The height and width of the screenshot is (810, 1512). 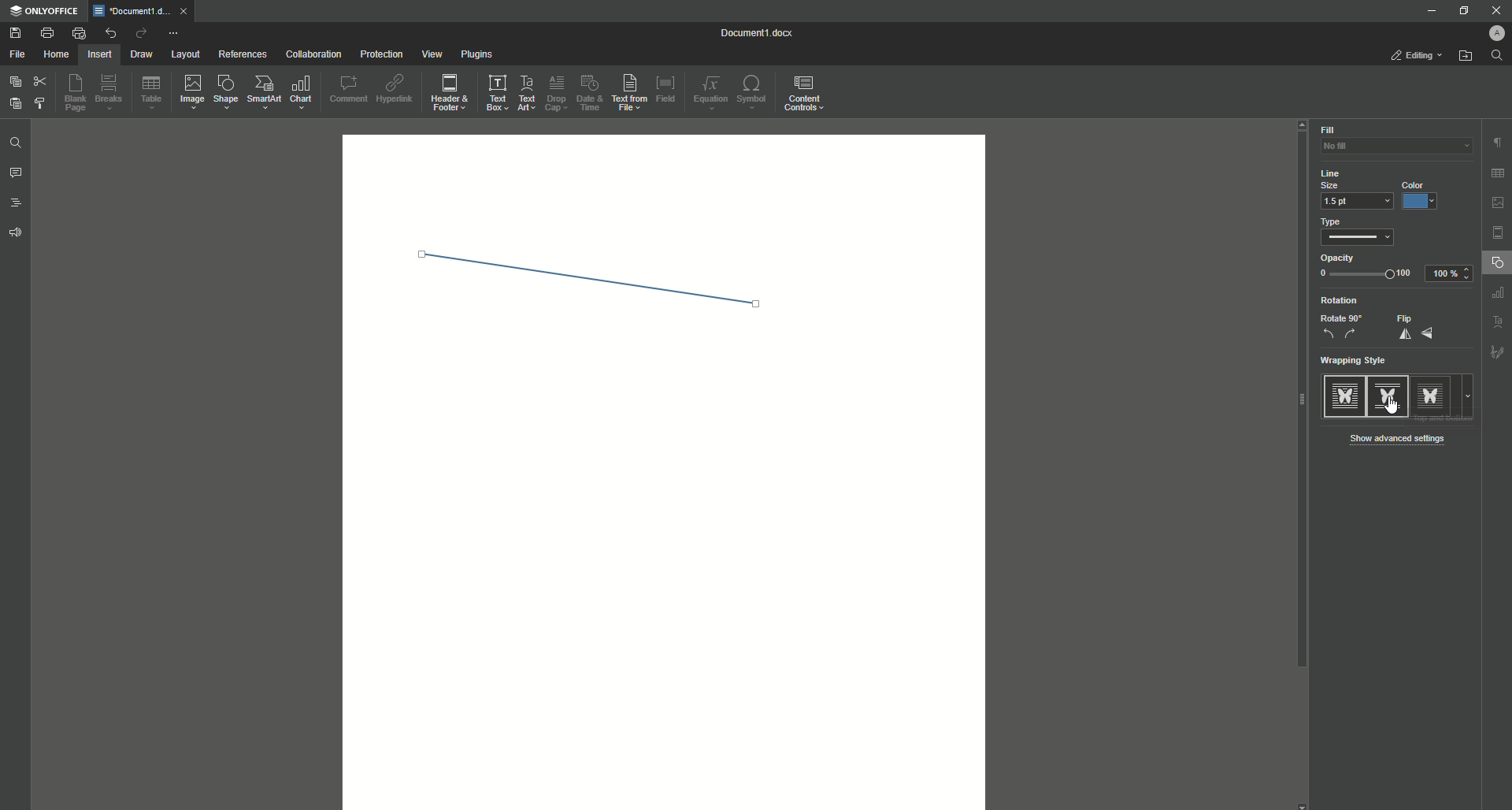 What do you see at coordinates (496, 92) in the screenshot?
I see `Text Box` at bounding box center [496, 92].